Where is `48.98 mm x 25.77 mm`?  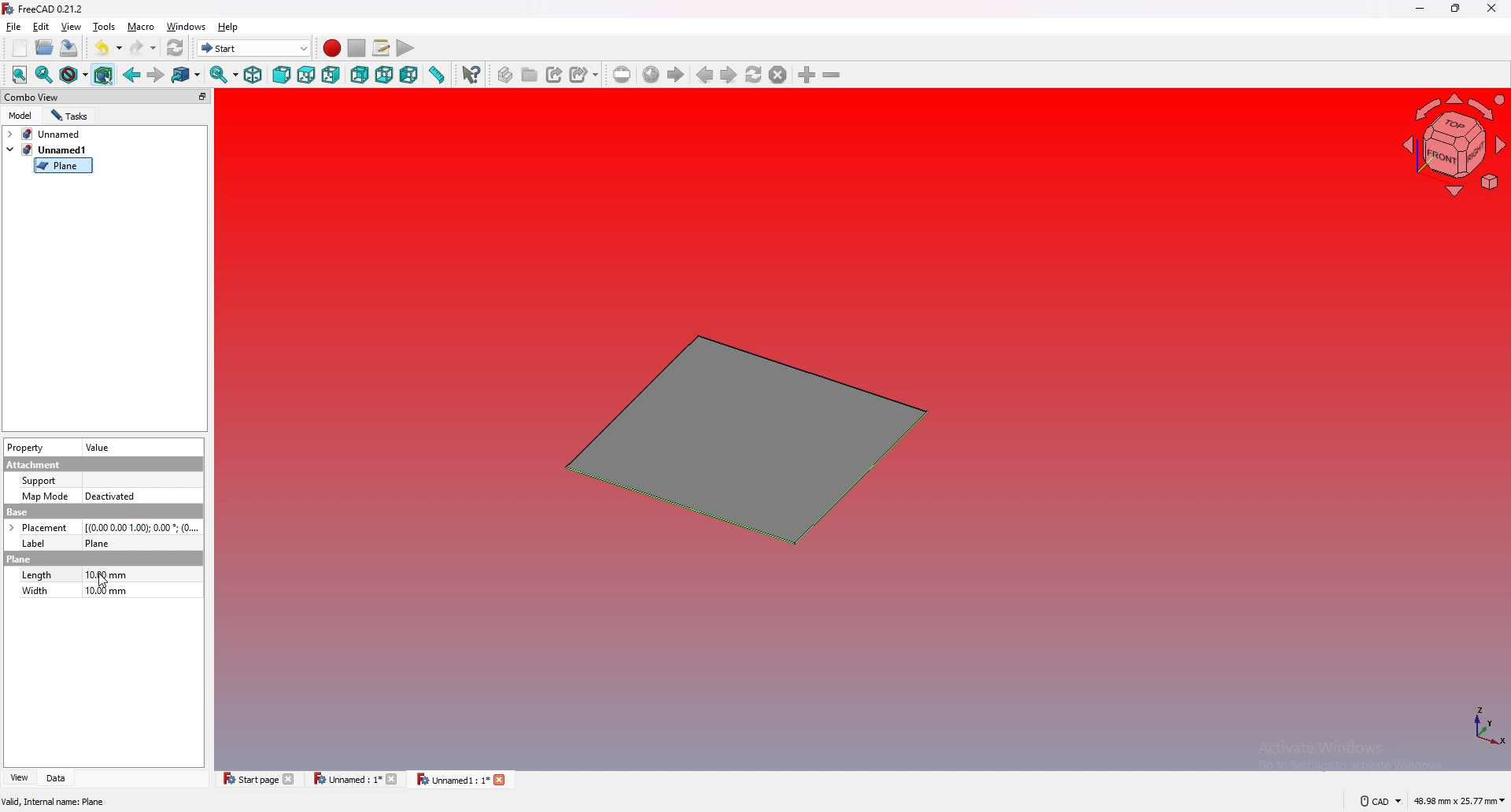
48.98 mm x 25.77 mm is located at coordinates (1461, 802).